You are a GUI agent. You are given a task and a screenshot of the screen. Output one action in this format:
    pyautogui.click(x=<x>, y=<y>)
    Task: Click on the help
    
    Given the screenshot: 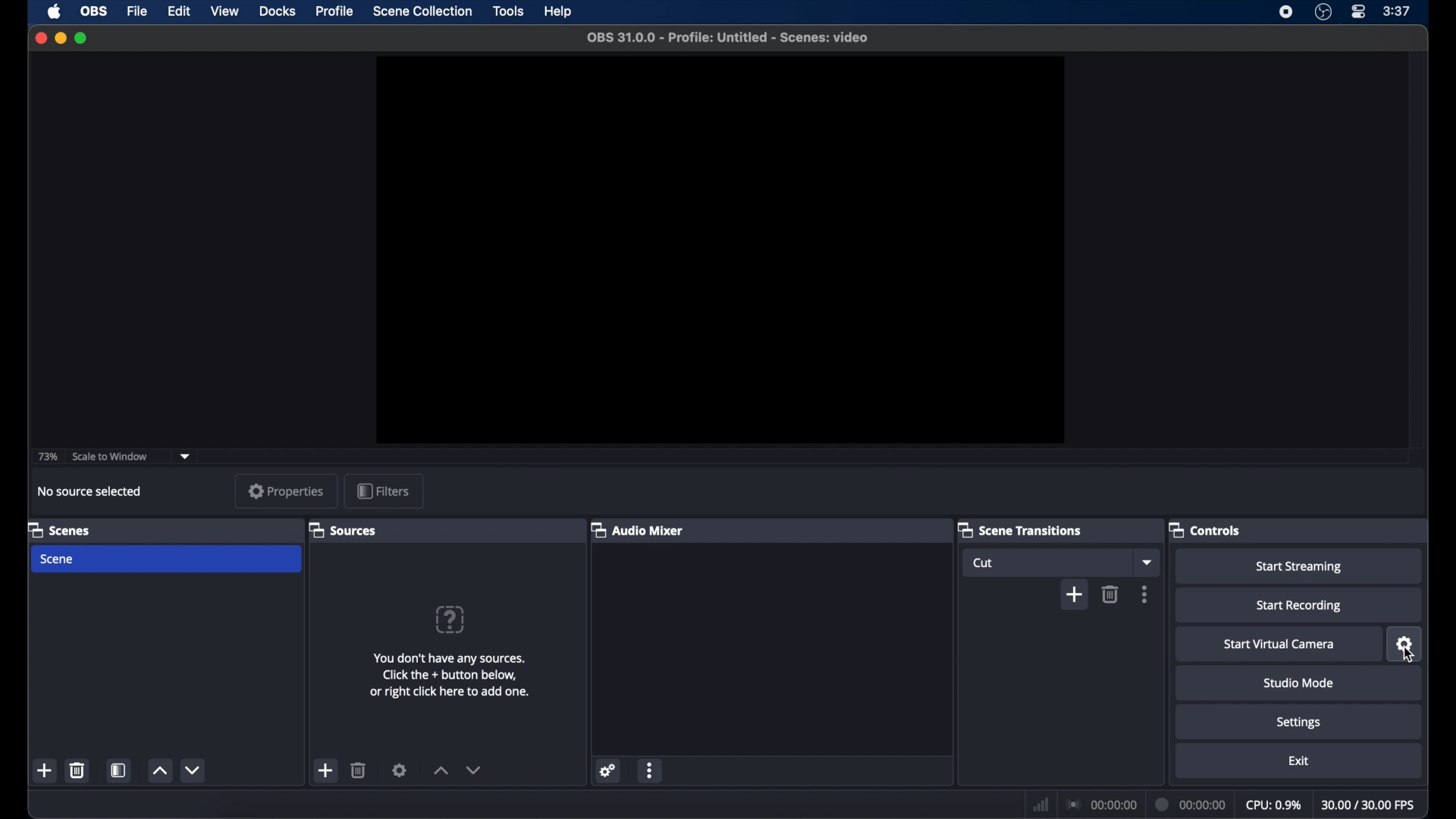 What is the action you would take?
    pyautogui.click(x=560, y=11)
    